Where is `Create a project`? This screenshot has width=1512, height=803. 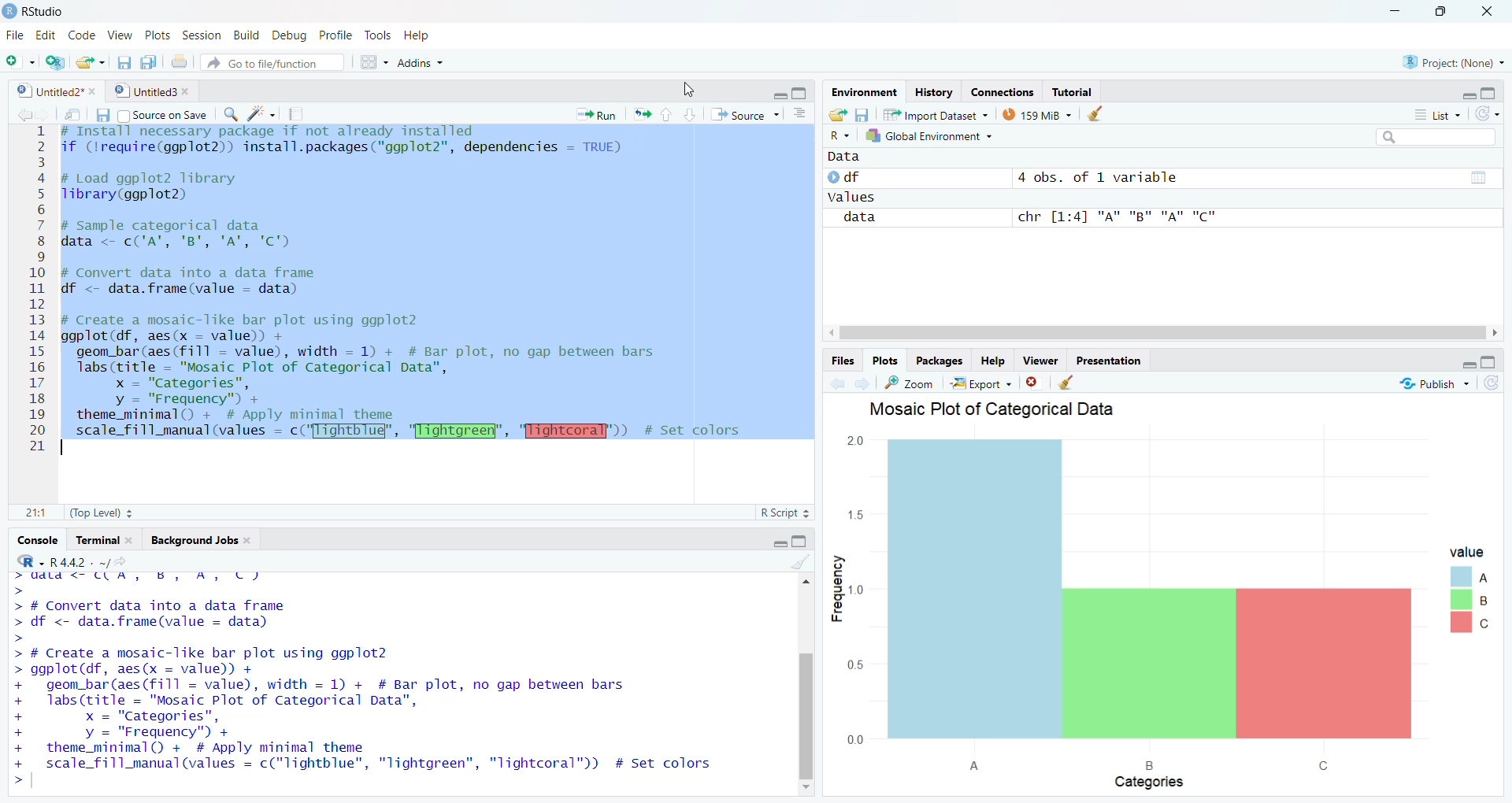 Create a project is located at coordinates (55, 62).